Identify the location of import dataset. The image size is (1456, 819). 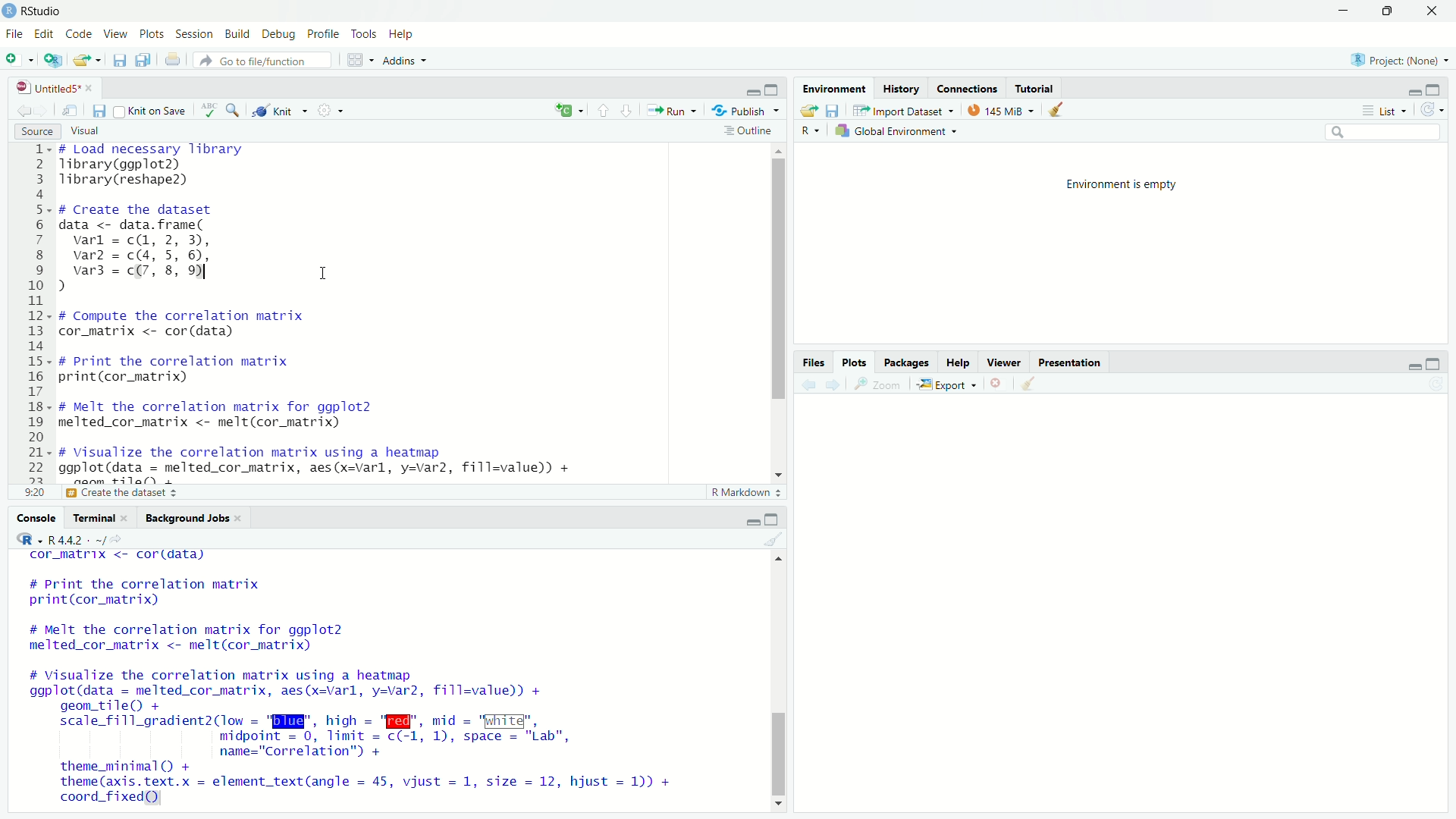
(904, 111).